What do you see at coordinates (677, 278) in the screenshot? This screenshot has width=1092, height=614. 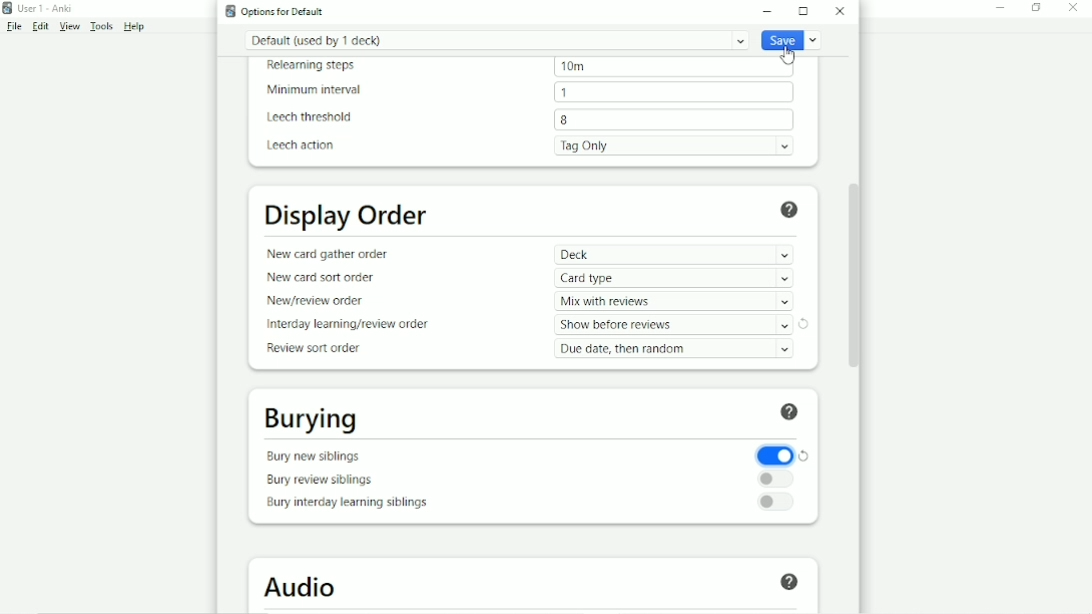 I see `Card type` at bounding box center [677, 278].